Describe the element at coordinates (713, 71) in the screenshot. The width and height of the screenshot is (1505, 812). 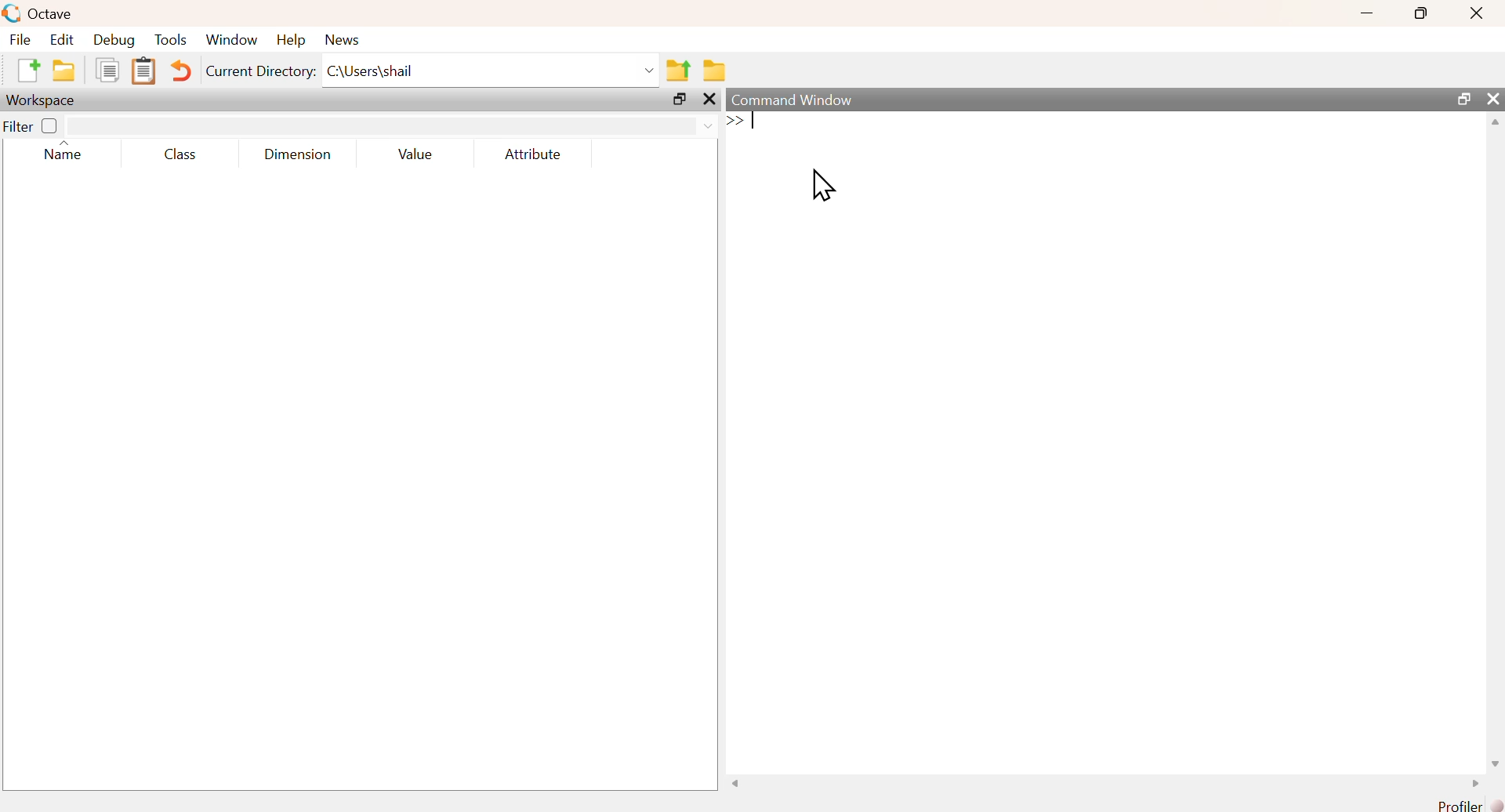
I see `Folder` at that location.